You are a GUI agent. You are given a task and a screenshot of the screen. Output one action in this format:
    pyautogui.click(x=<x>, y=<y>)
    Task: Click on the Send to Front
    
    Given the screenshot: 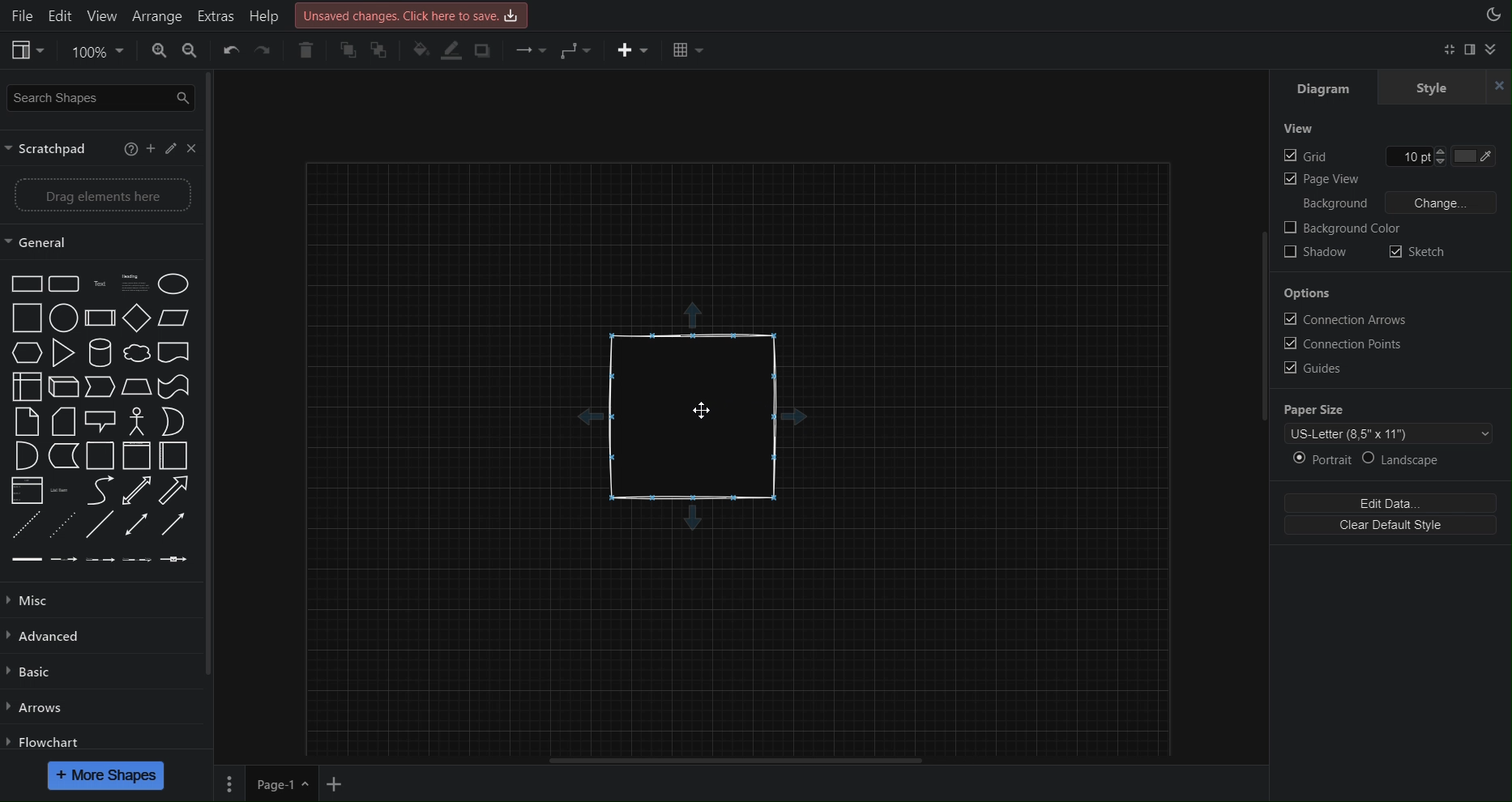 What is the action you would take?
    pyautogui.click(x=348, y=52)
    